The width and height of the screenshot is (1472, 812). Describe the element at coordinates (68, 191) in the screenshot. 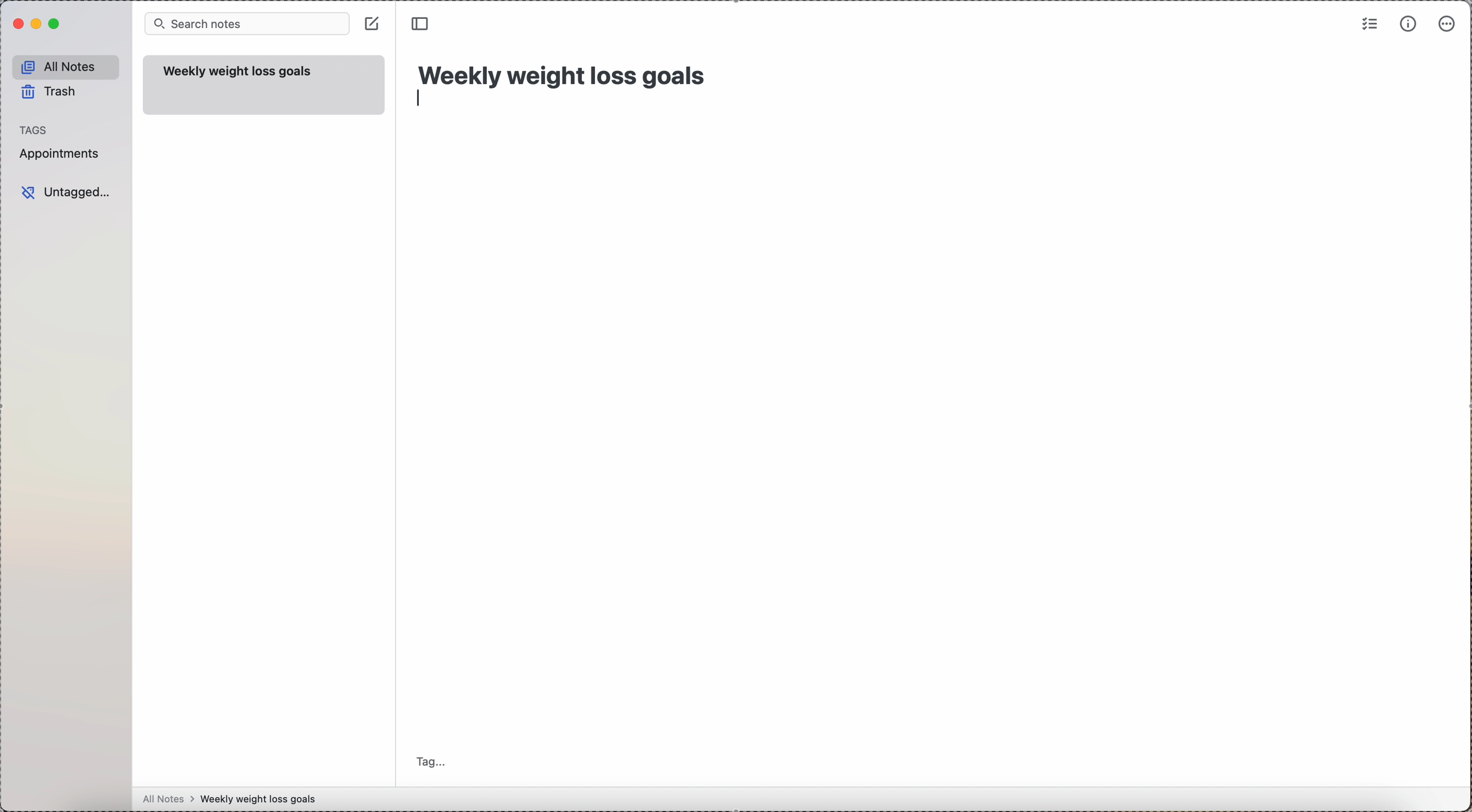

I see `untagged` at that location.